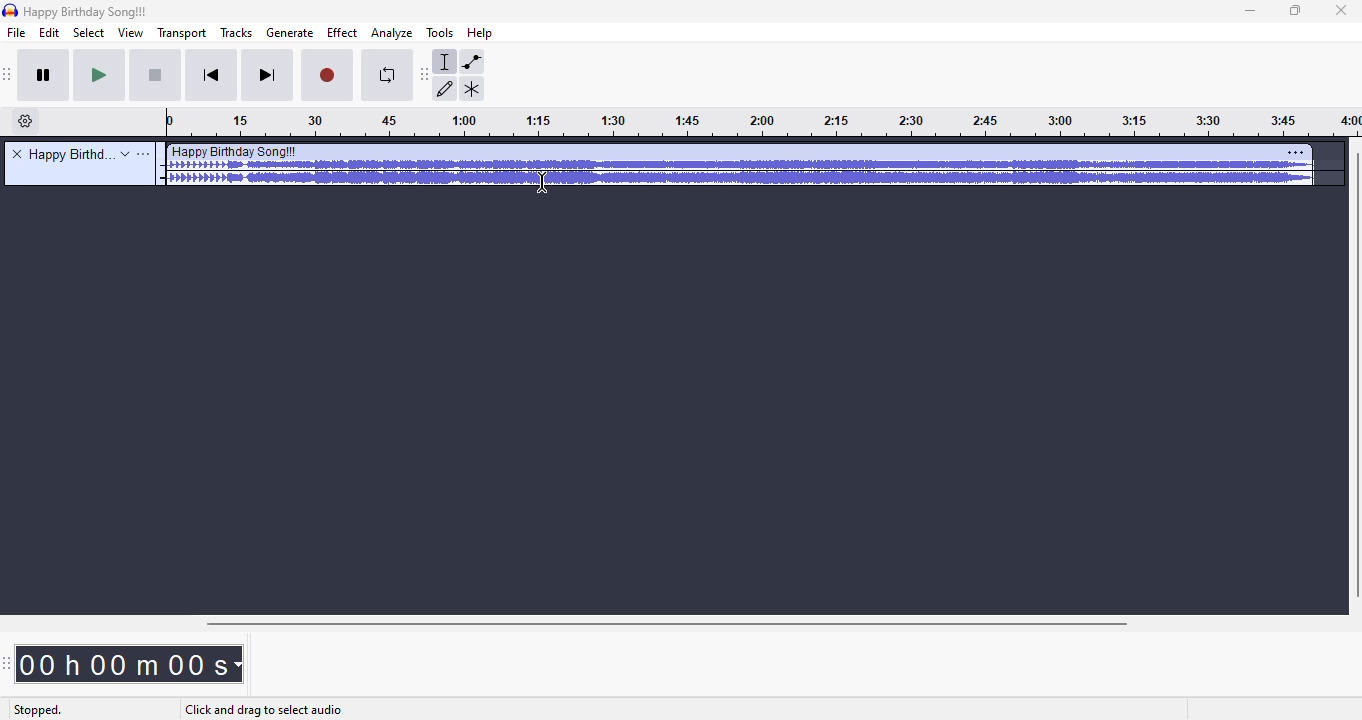 The image size is (1362, 720). What do you see at coordinates (144, 154) in the screenshot?
I see `open menu` at bounding box center [144, 154].